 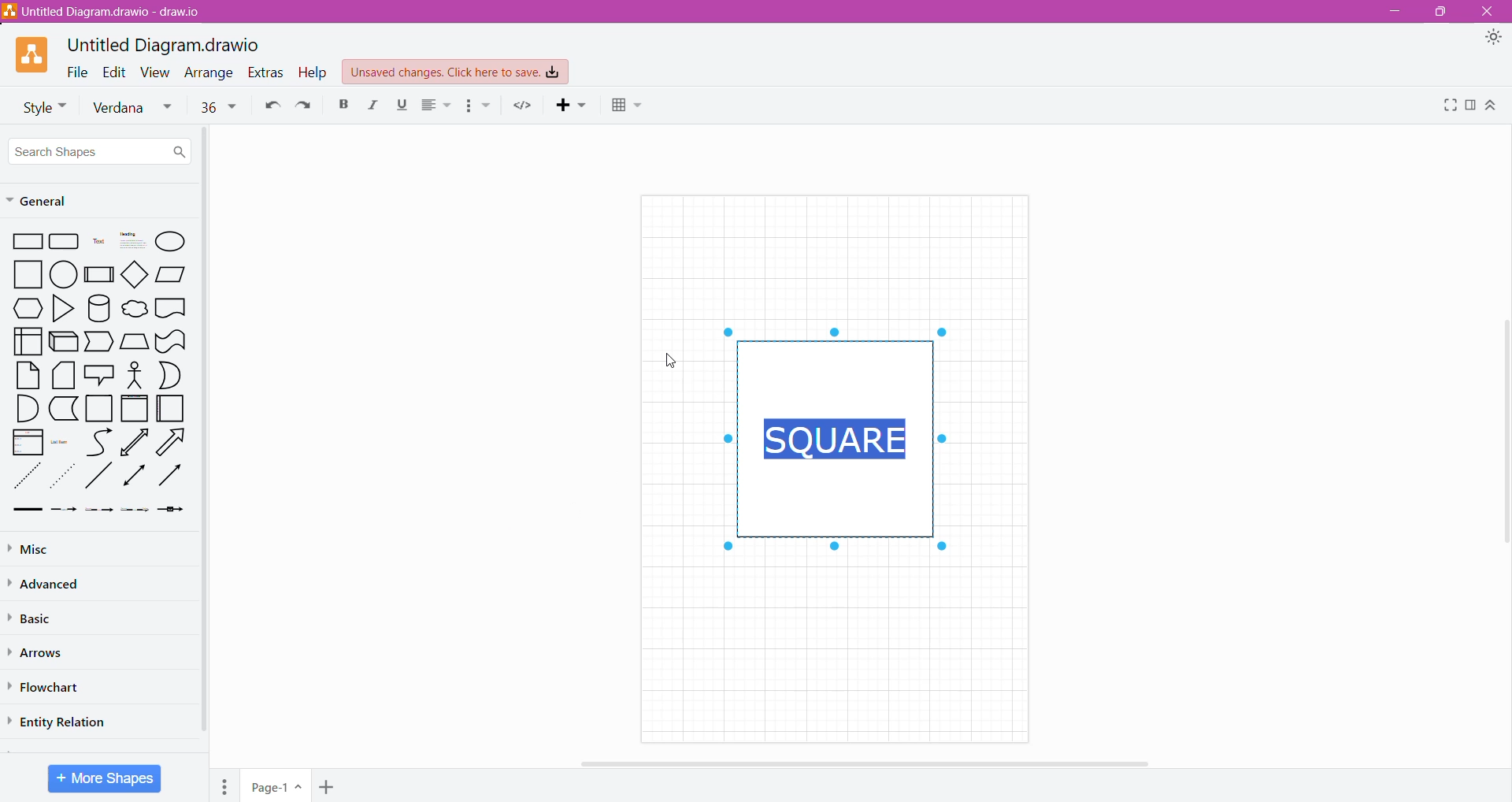 I want to click on Restore Down, so click(x=1440, y=12).